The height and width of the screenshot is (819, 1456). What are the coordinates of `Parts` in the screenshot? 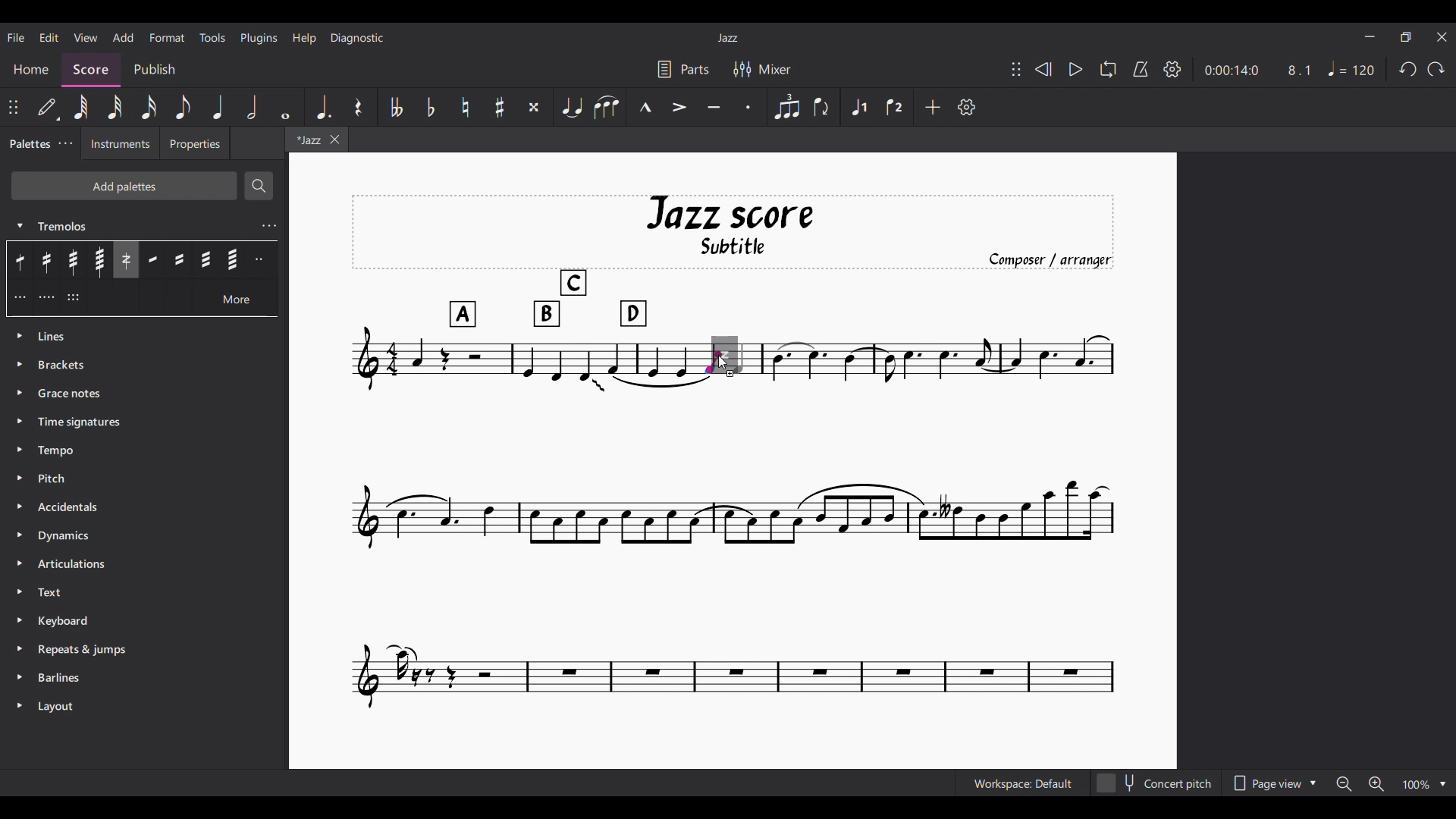 It's located at (684, 68).